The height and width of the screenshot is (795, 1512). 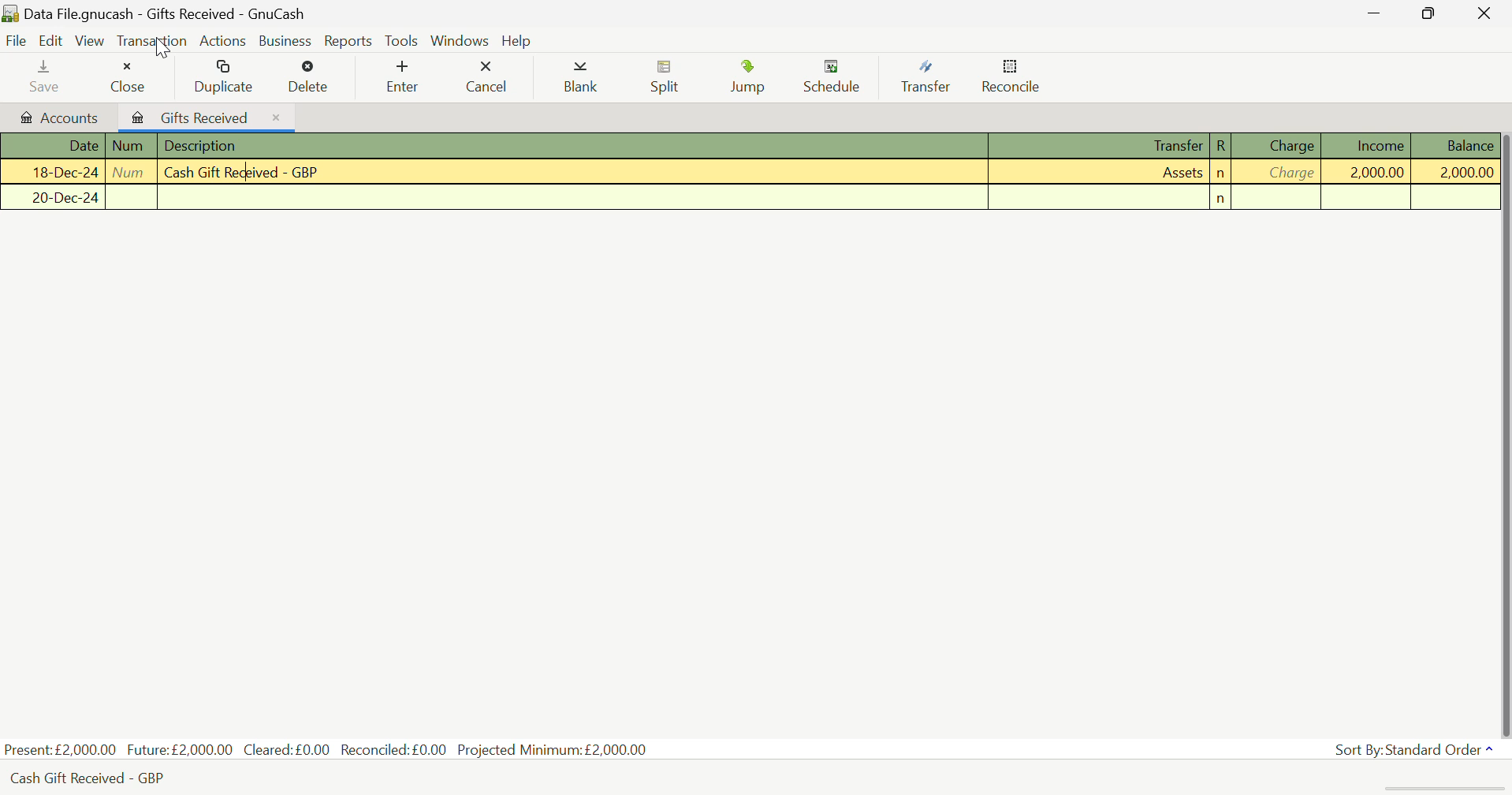 I want to click on Business, so click(x=282, y=39).